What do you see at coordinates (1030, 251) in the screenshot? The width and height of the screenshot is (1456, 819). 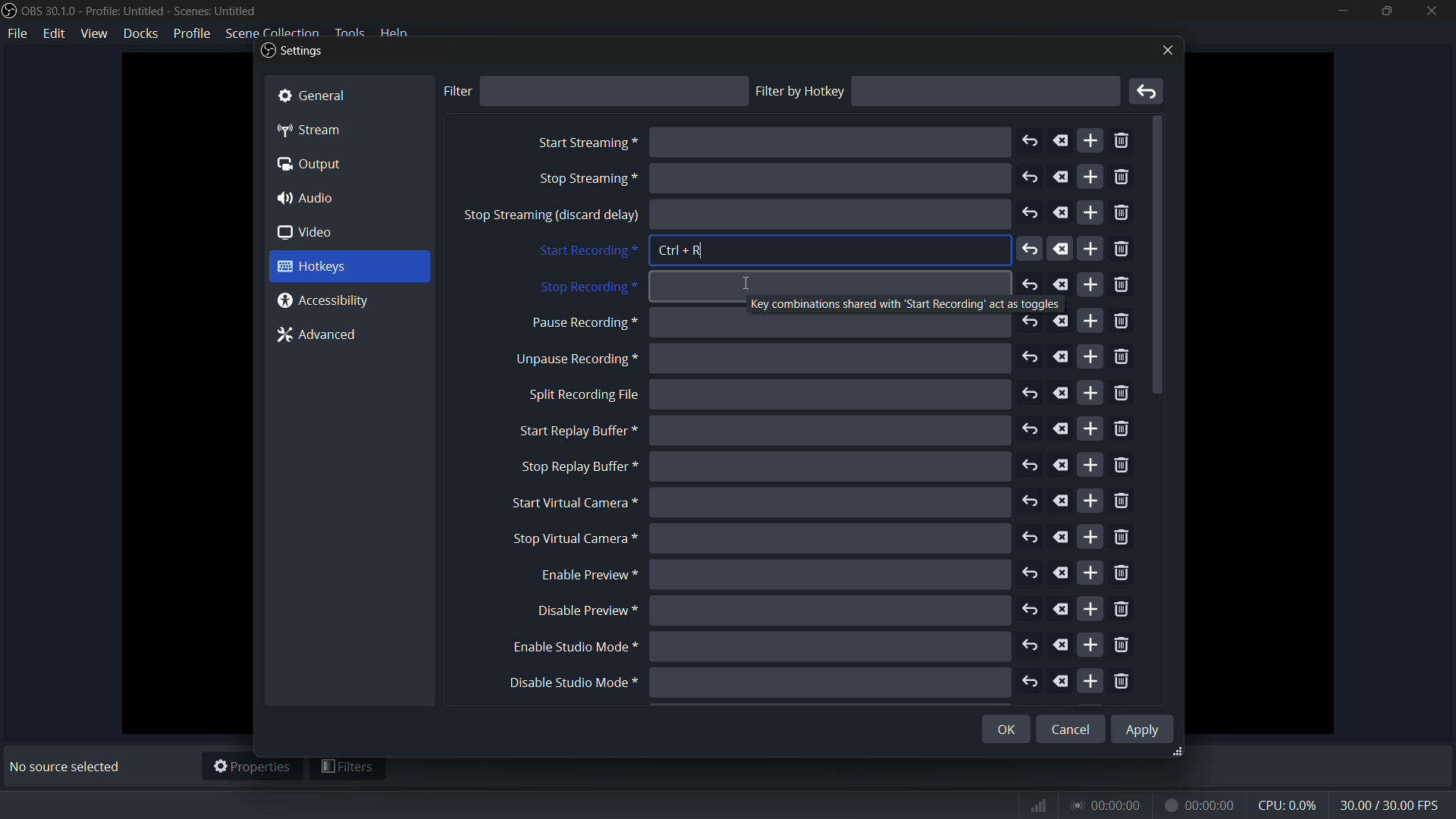 I see `undo` at bounding box center [1030, 251].